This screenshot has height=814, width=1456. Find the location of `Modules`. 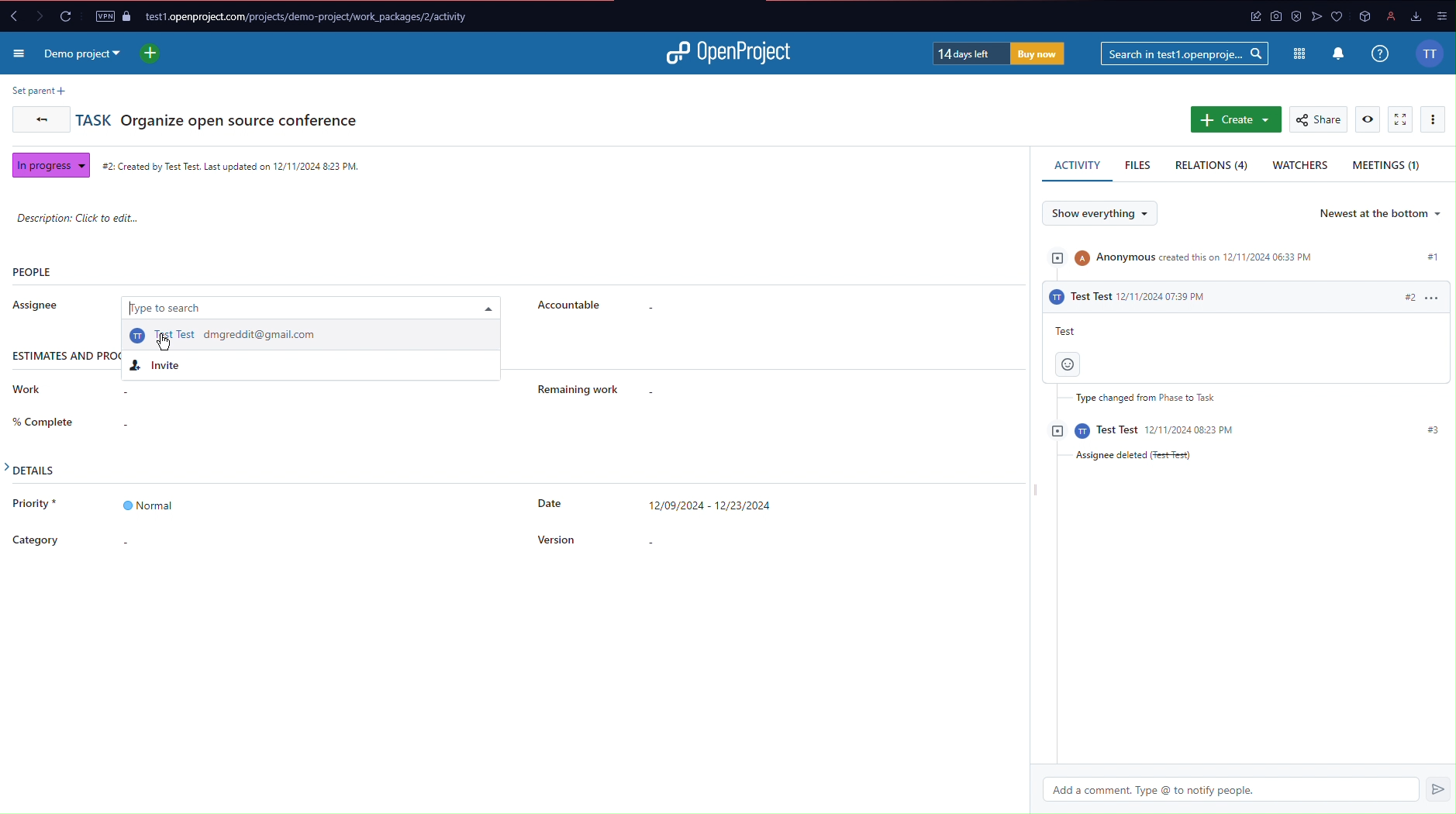

Modules is located at coordinates (1299, 56).